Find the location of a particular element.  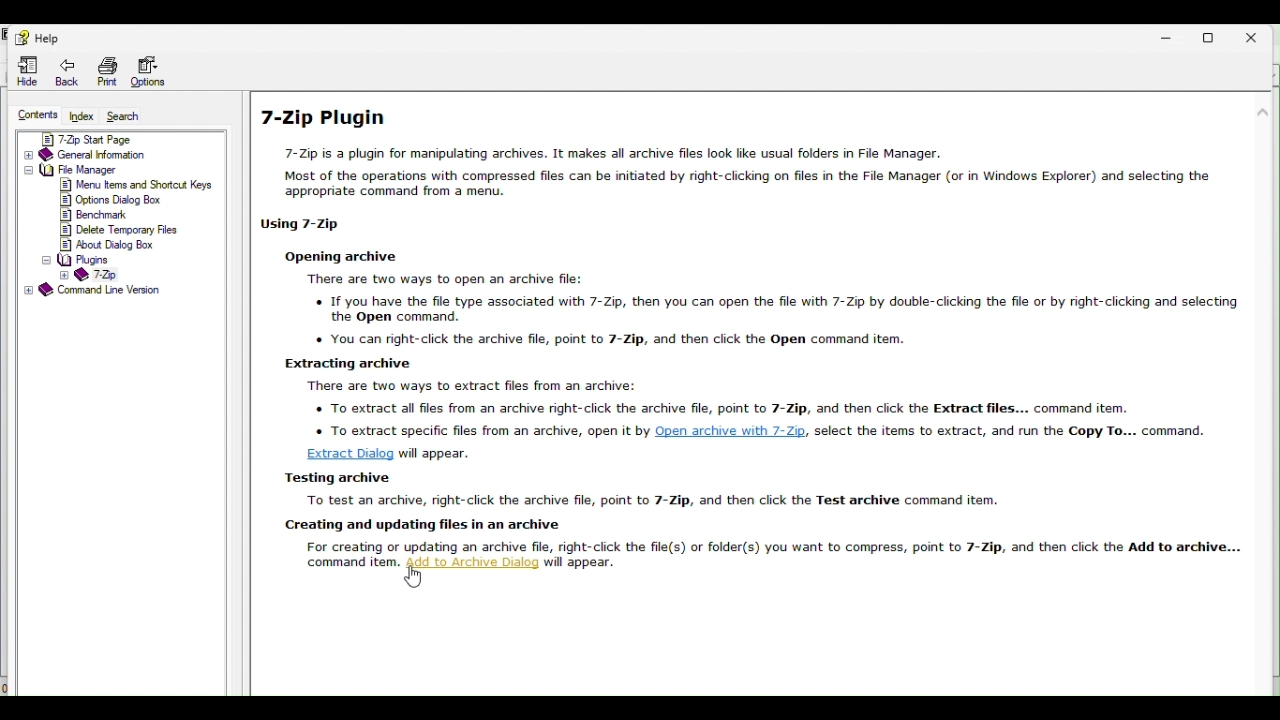

menu is located at coordinates (137, 185).